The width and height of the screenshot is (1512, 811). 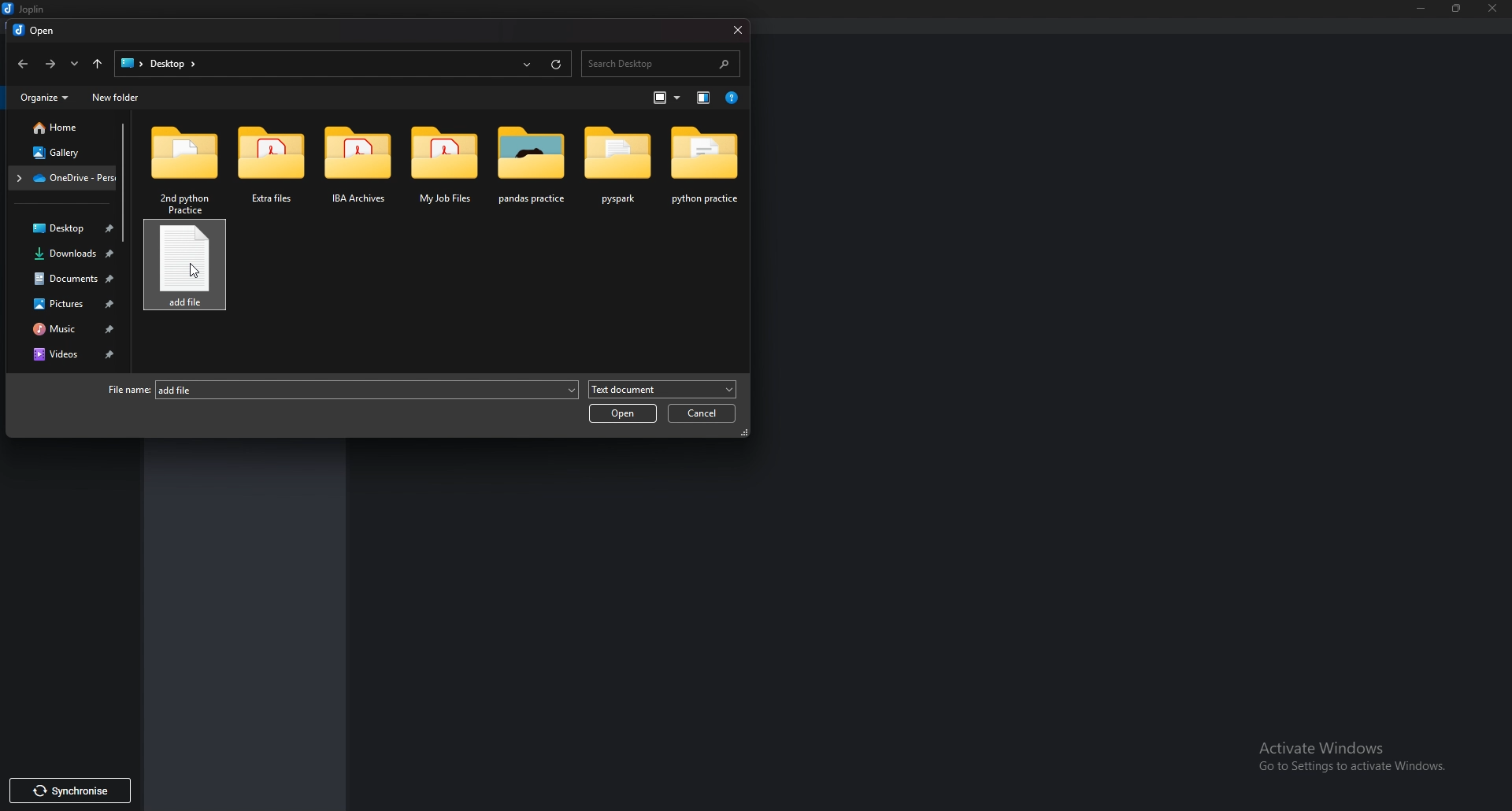 What do you see at coordinates (1424, 7) in the screenshot?
I see `Minimize` at bounding box center [1424, 7].